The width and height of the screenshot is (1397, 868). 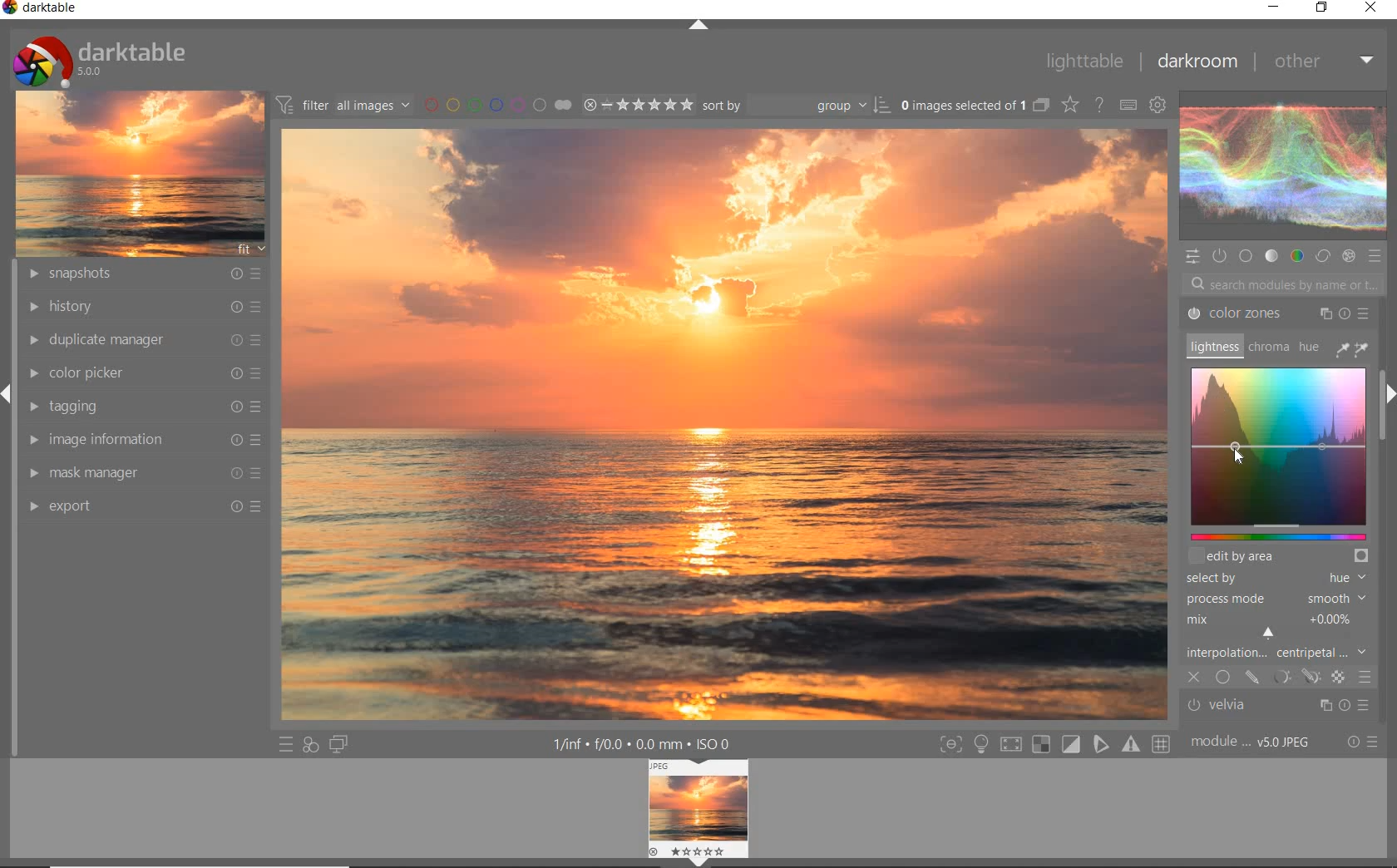 What do you see at coordinates (795, 106) in the screenshot?
I see `SORT` at bounding box center [795, 106].